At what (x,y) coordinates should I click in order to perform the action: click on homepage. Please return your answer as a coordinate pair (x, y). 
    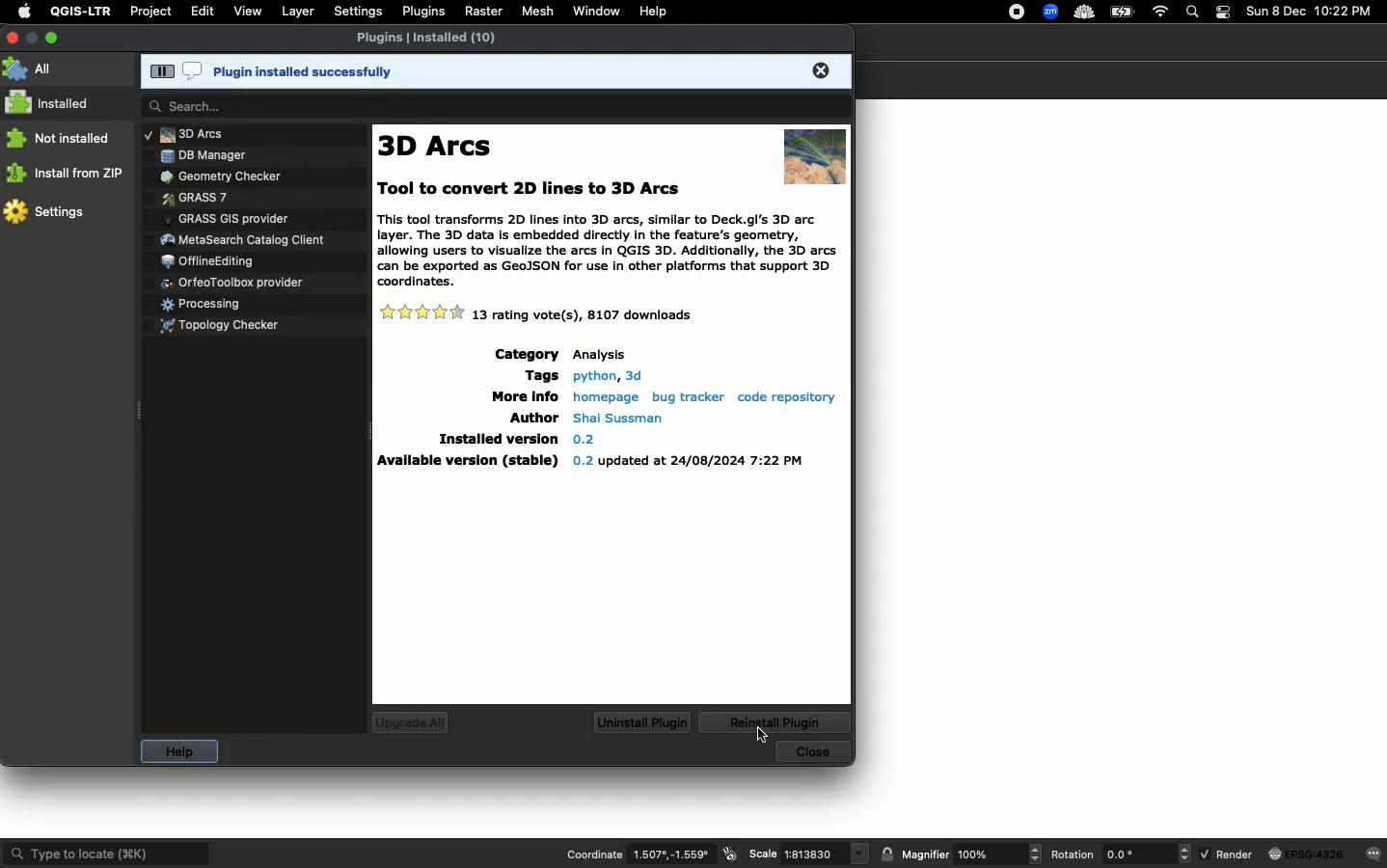
    Looking at the image, I should click on (604, 394).